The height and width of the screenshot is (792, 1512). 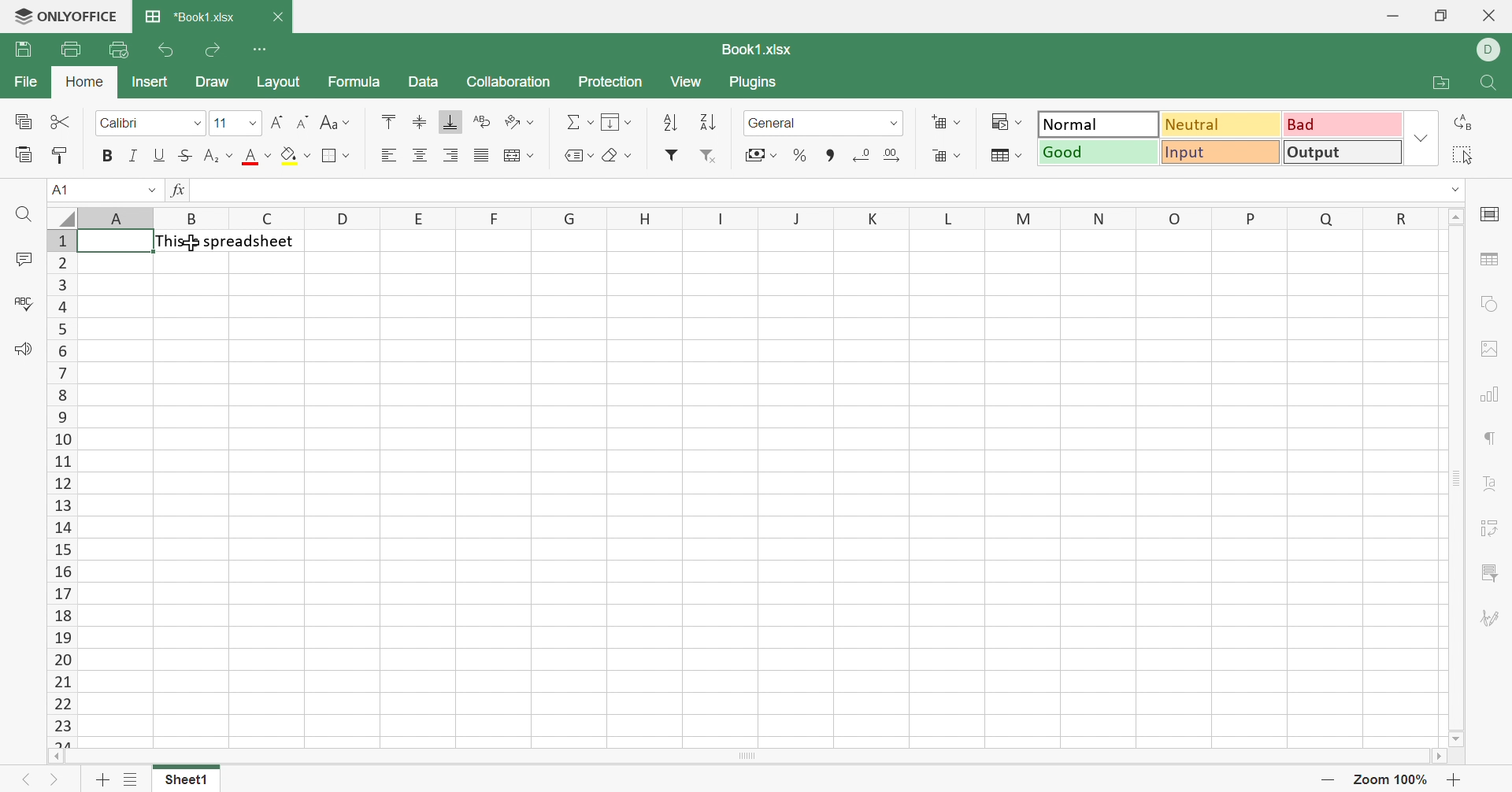 What do you see at coordinates (672, 157) in the screenshot?
I see `Insert filter` at bounding box center [672, 157].